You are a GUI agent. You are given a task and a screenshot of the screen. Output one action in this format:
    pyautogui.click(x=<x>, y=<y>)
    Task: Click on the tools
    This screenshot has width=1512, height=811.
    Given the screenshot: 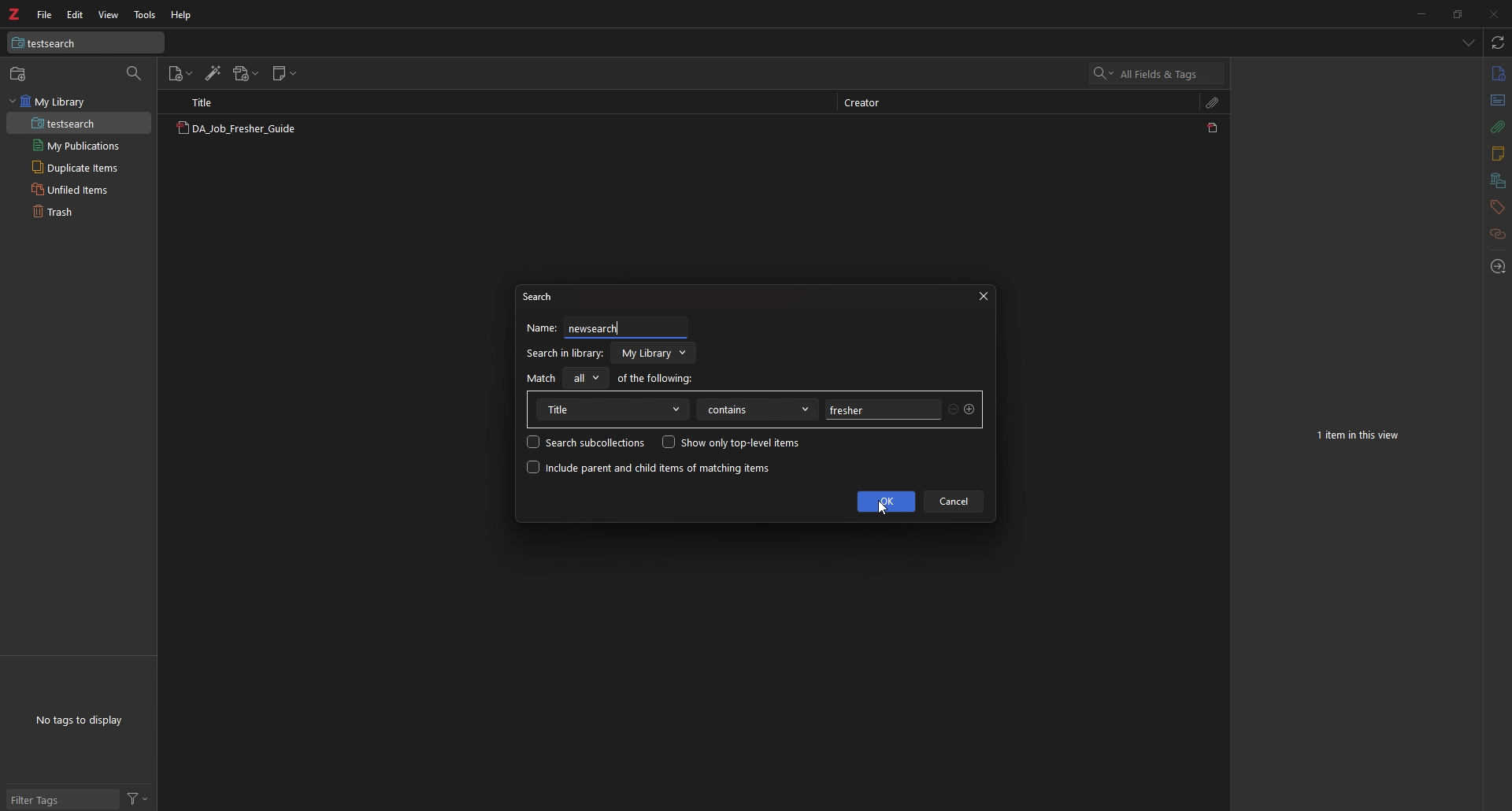 What is the action you would take?
    pyautogui.click(x=146, y=15)
    